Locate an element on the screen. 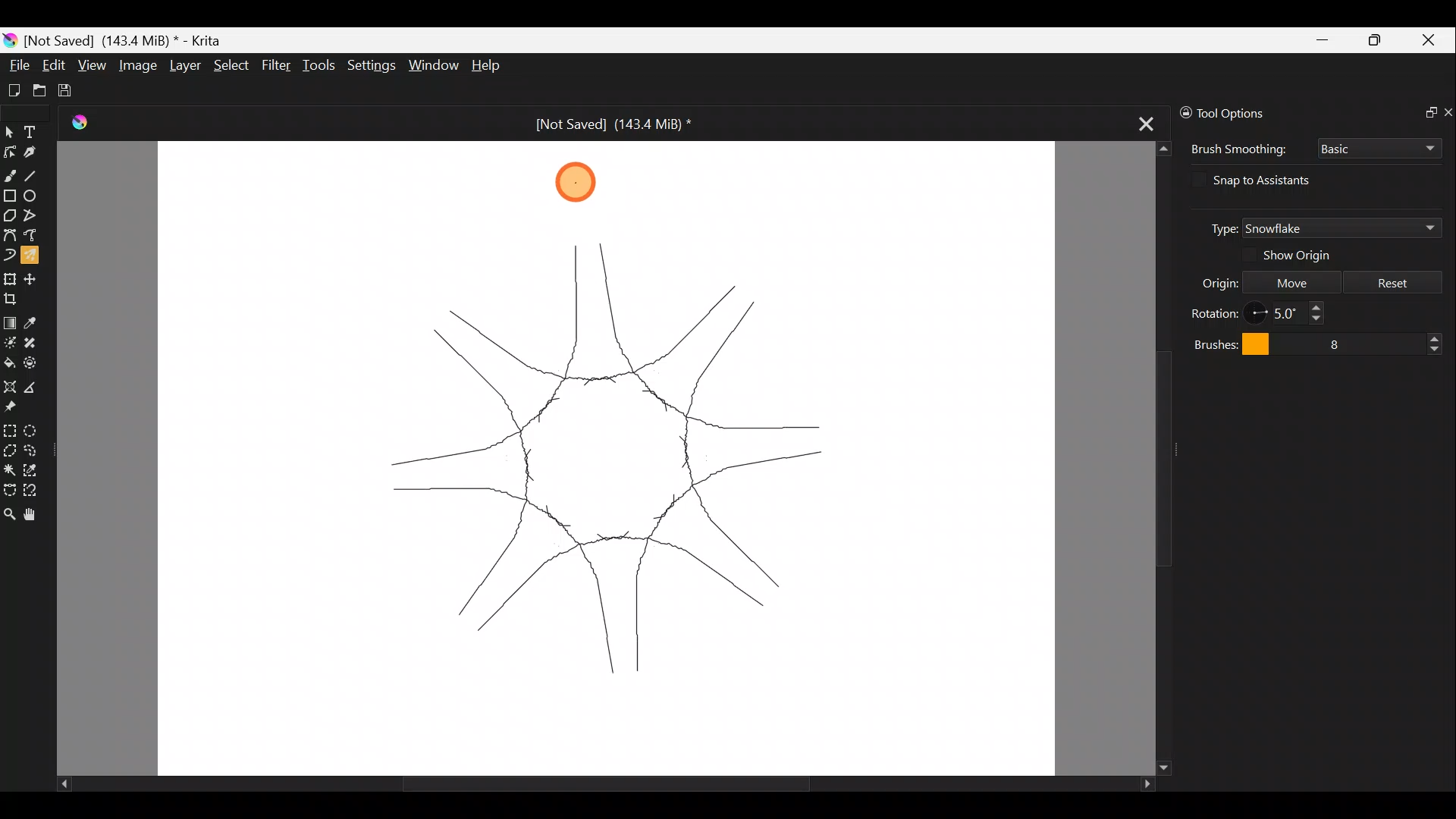 The image size is (1456, 819). Tools is located at coordinates (319, 64).